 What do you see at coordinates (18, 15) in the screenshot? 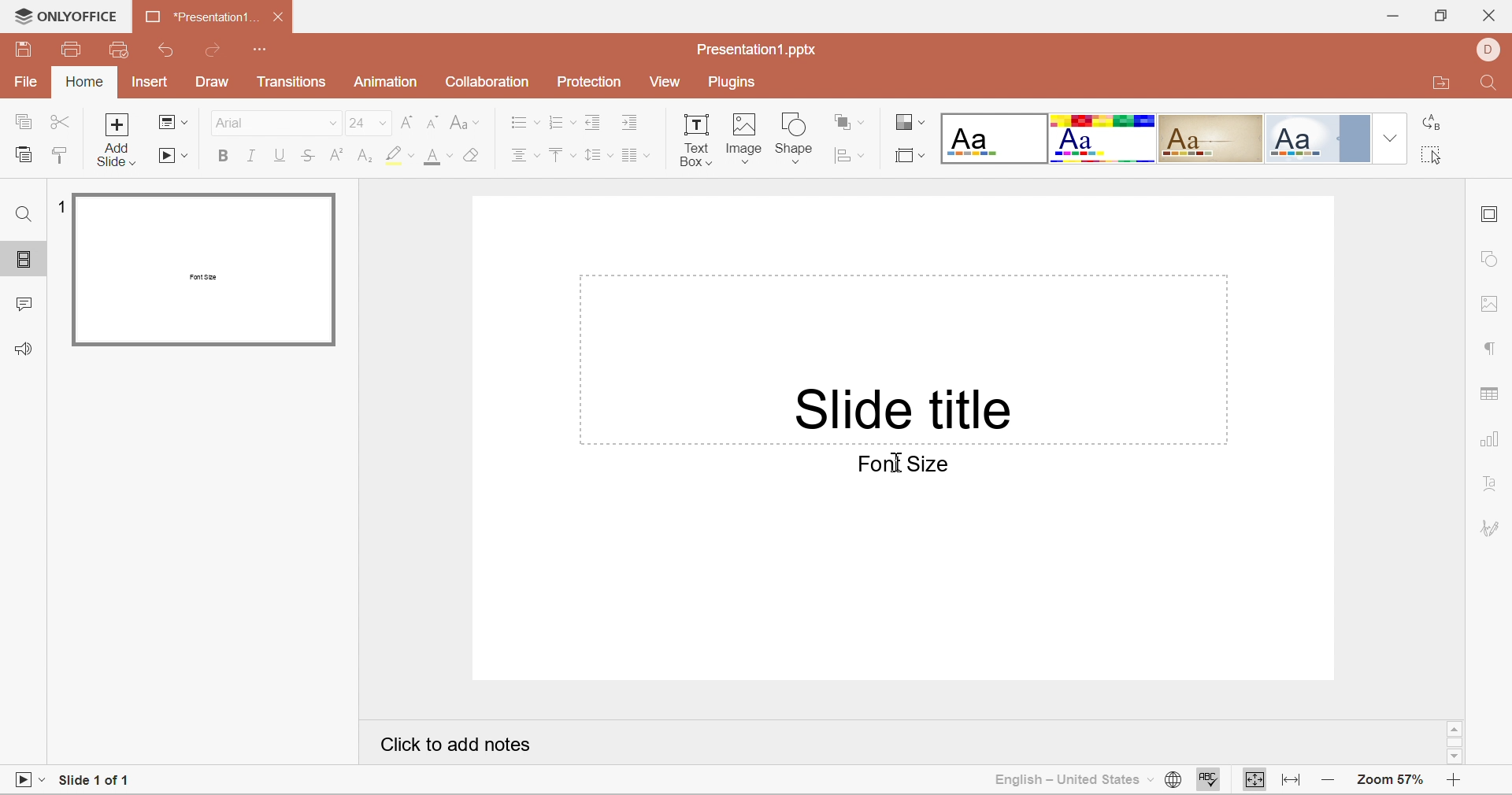
I see `logo` at bounding box center [18, 15].